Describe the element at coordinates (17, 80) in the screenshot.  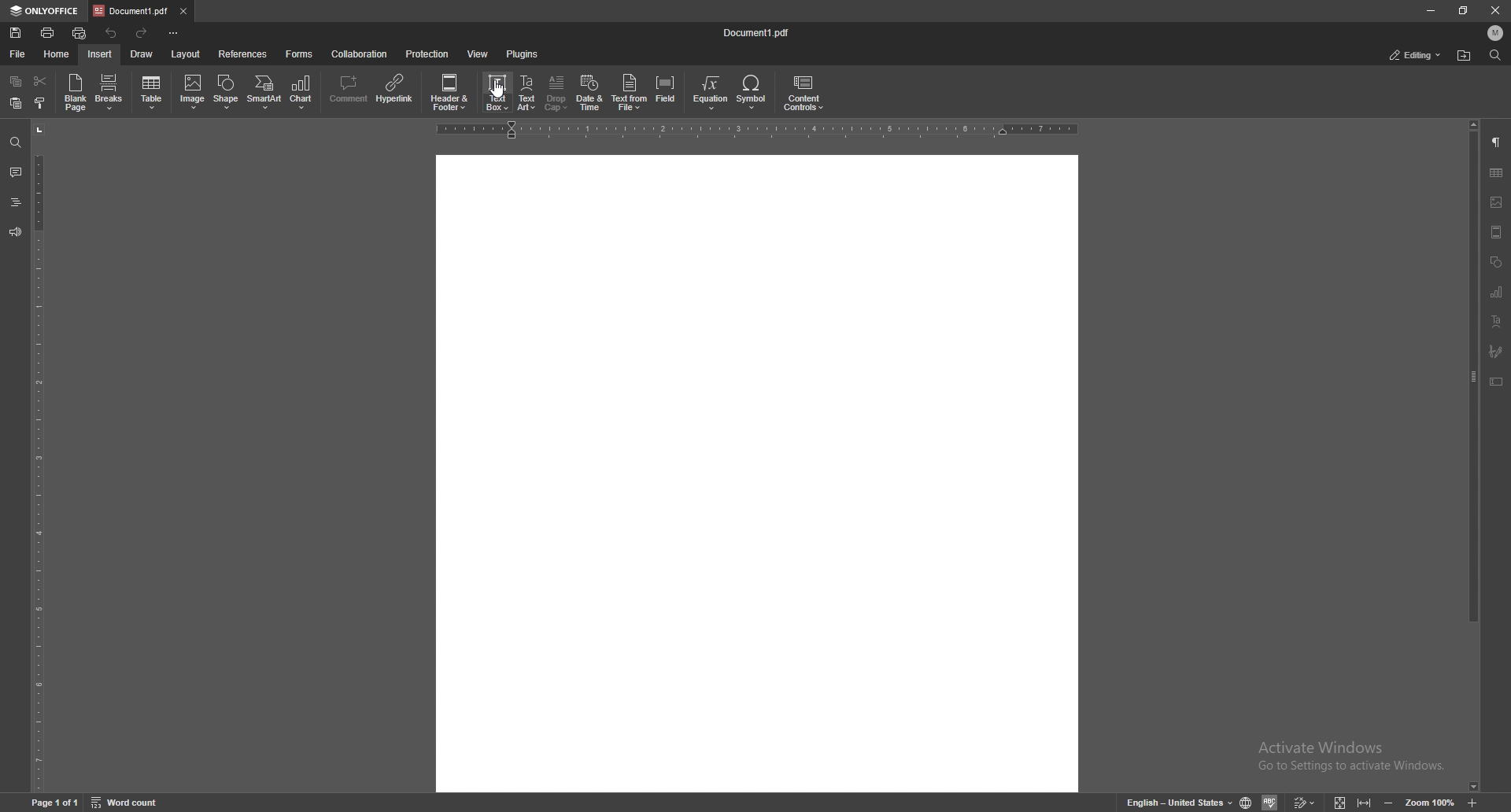
I see `copy` at that location.